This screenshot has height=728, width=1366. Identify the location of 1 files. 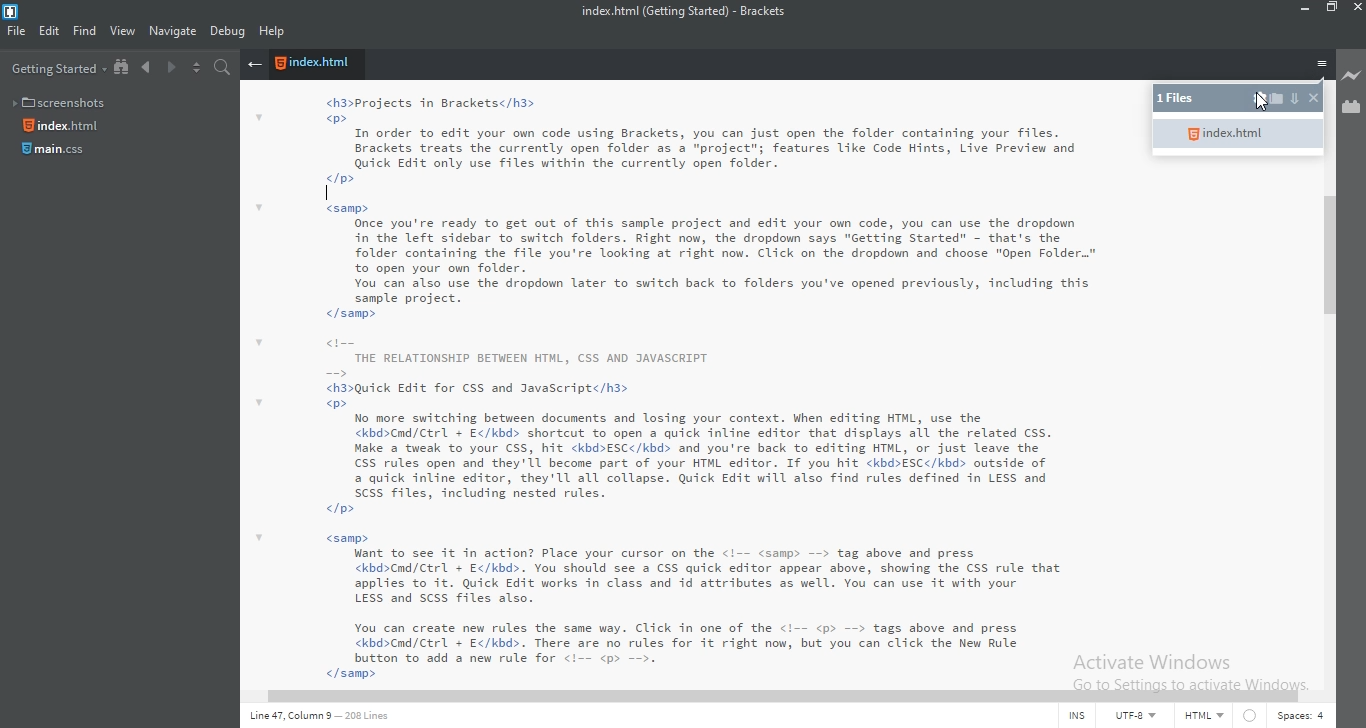
(1188, 100).